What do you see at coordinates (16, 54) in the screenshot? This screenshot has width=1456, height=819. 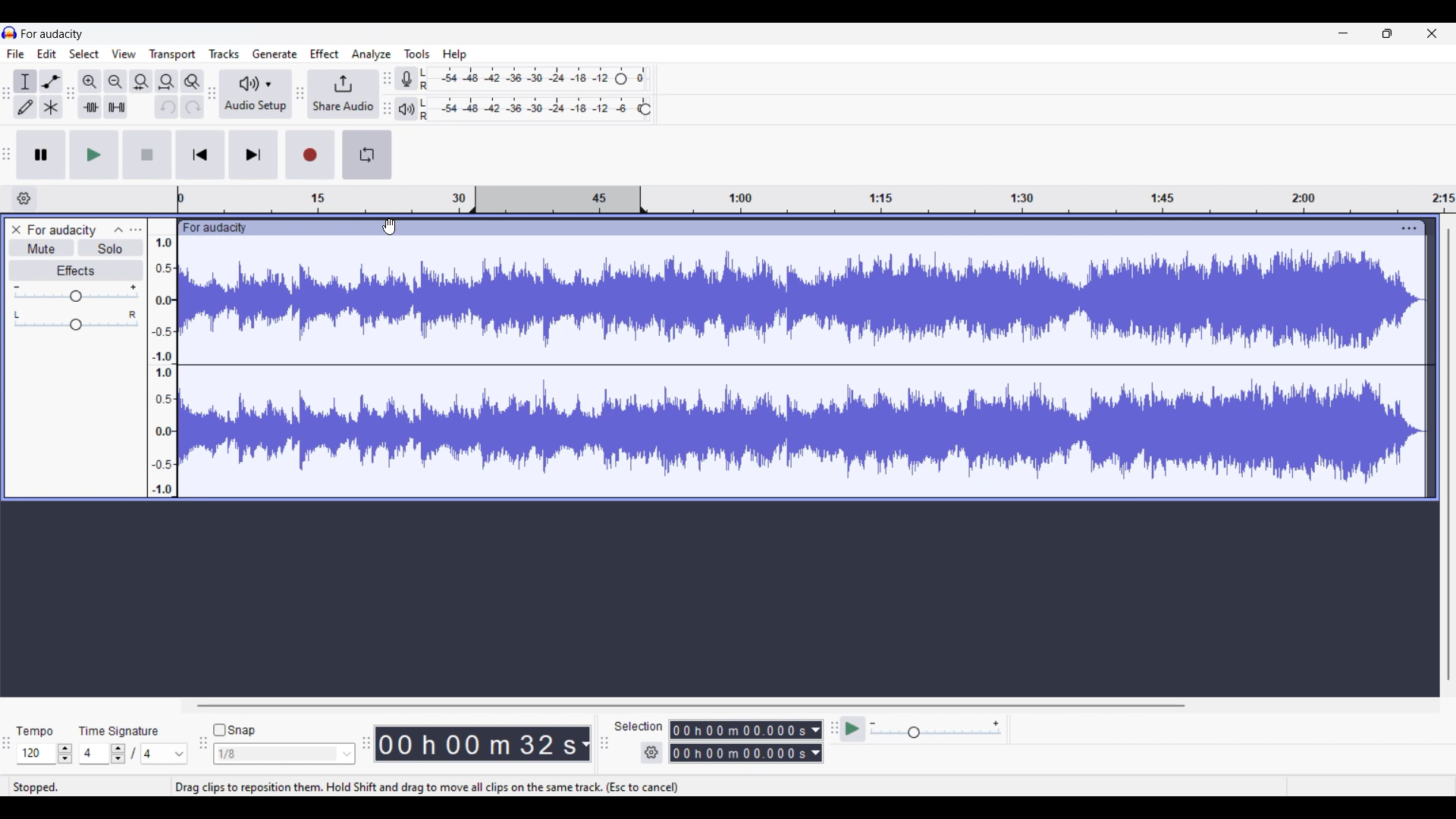 I see `File menu` at bounding box center [16, 54].